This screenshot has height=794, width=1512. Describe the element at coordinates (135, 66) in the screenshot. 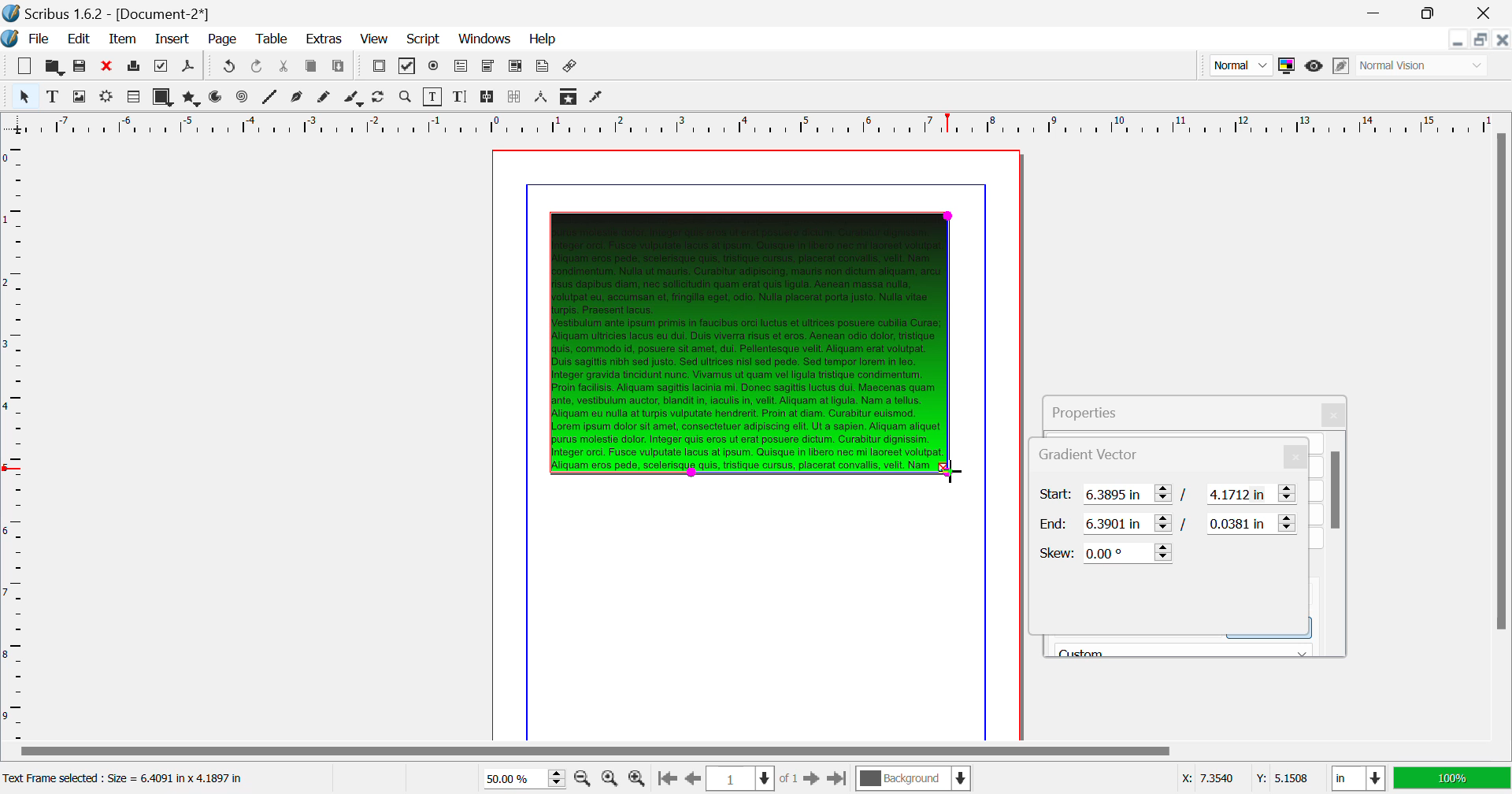

I see `Print` at that location.